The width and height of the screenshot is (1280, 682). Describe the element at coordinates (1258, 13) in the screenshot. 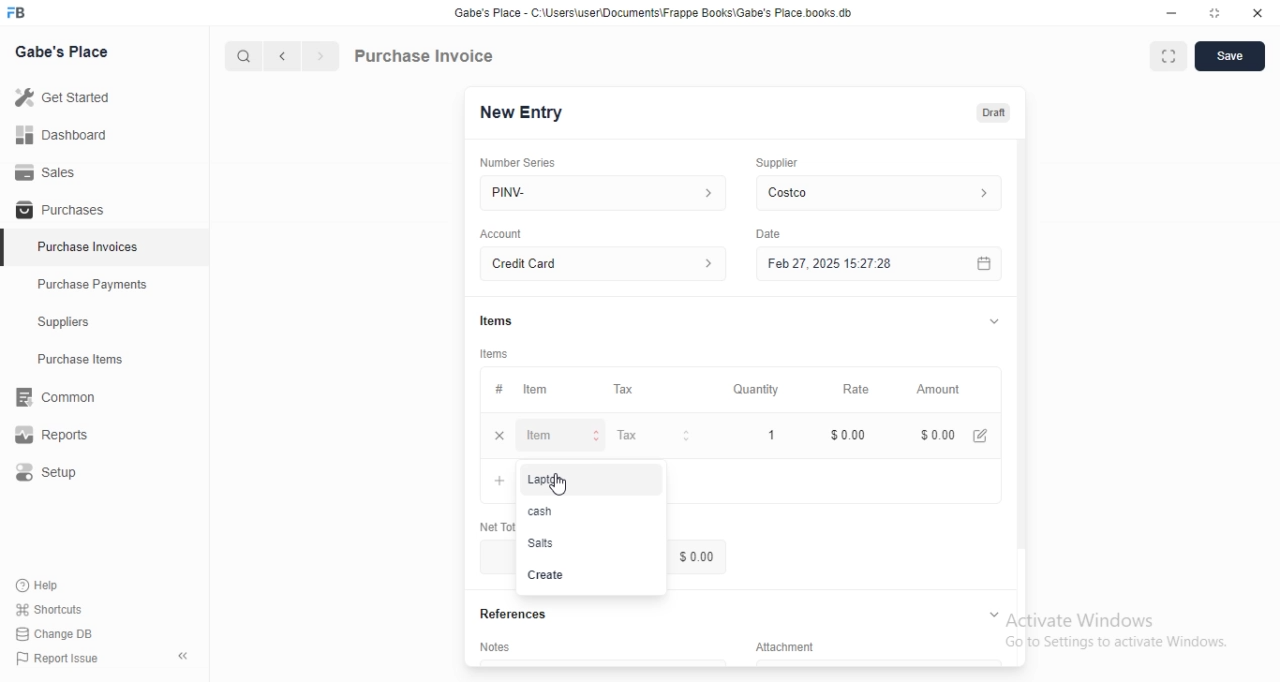

I see `Close` at that location.